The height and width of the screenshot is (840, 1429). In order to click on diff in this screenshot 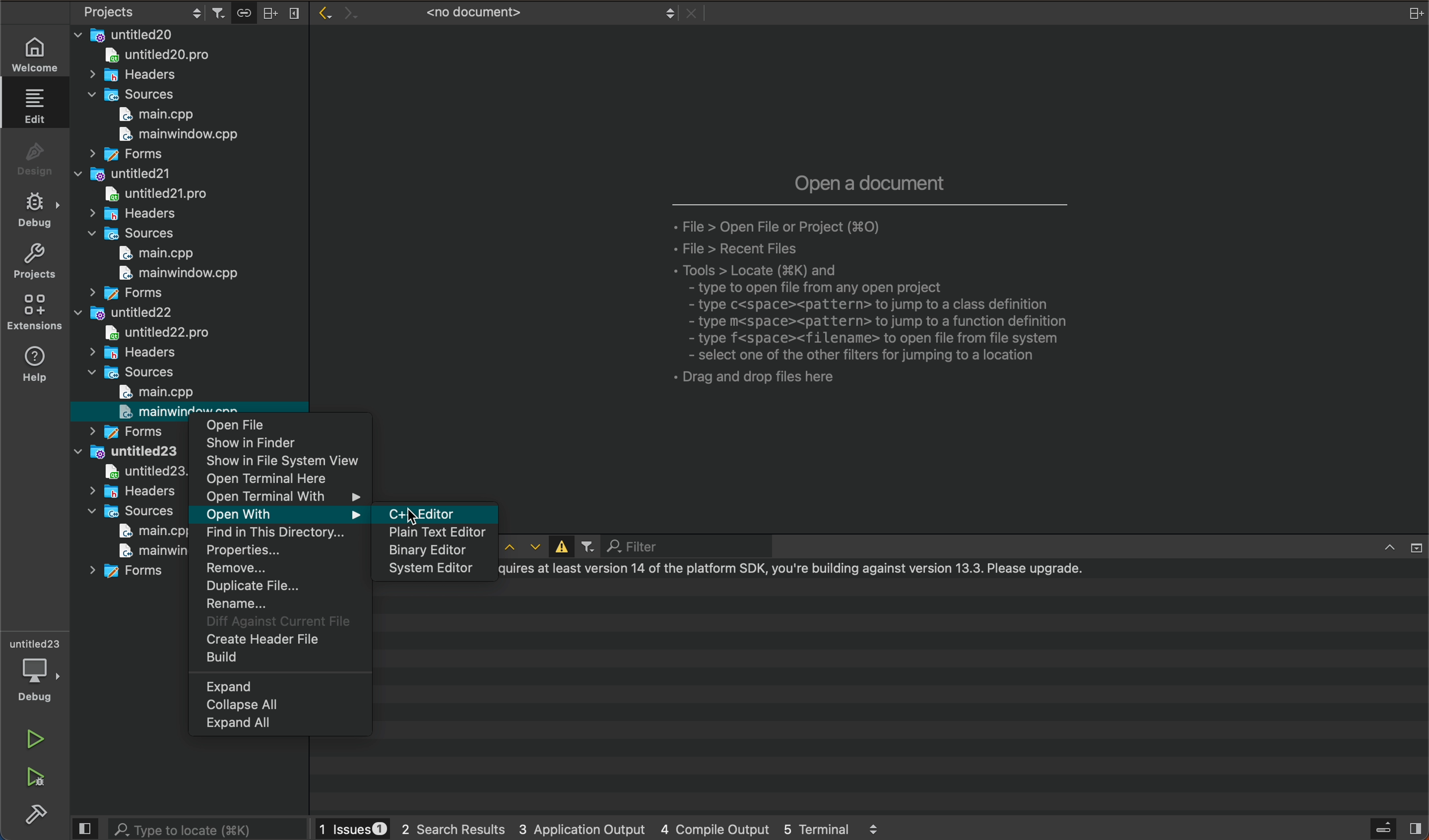, I will do `click(277, 622)`.